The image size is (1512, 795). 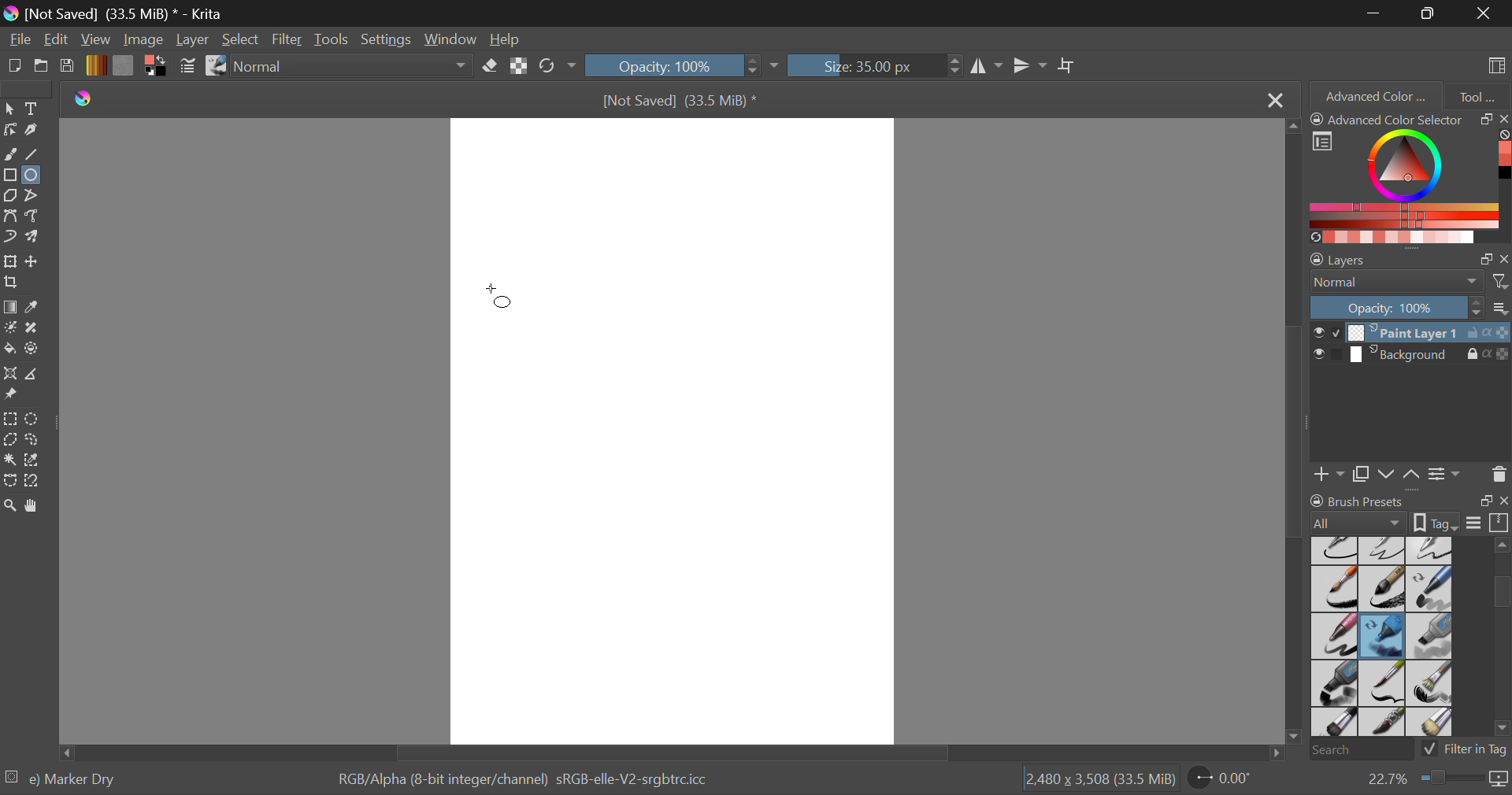 What do you see at coordinates (1410, 357) in the screenshot?
I see `Background Layer` at bounding box center [1410, 357].